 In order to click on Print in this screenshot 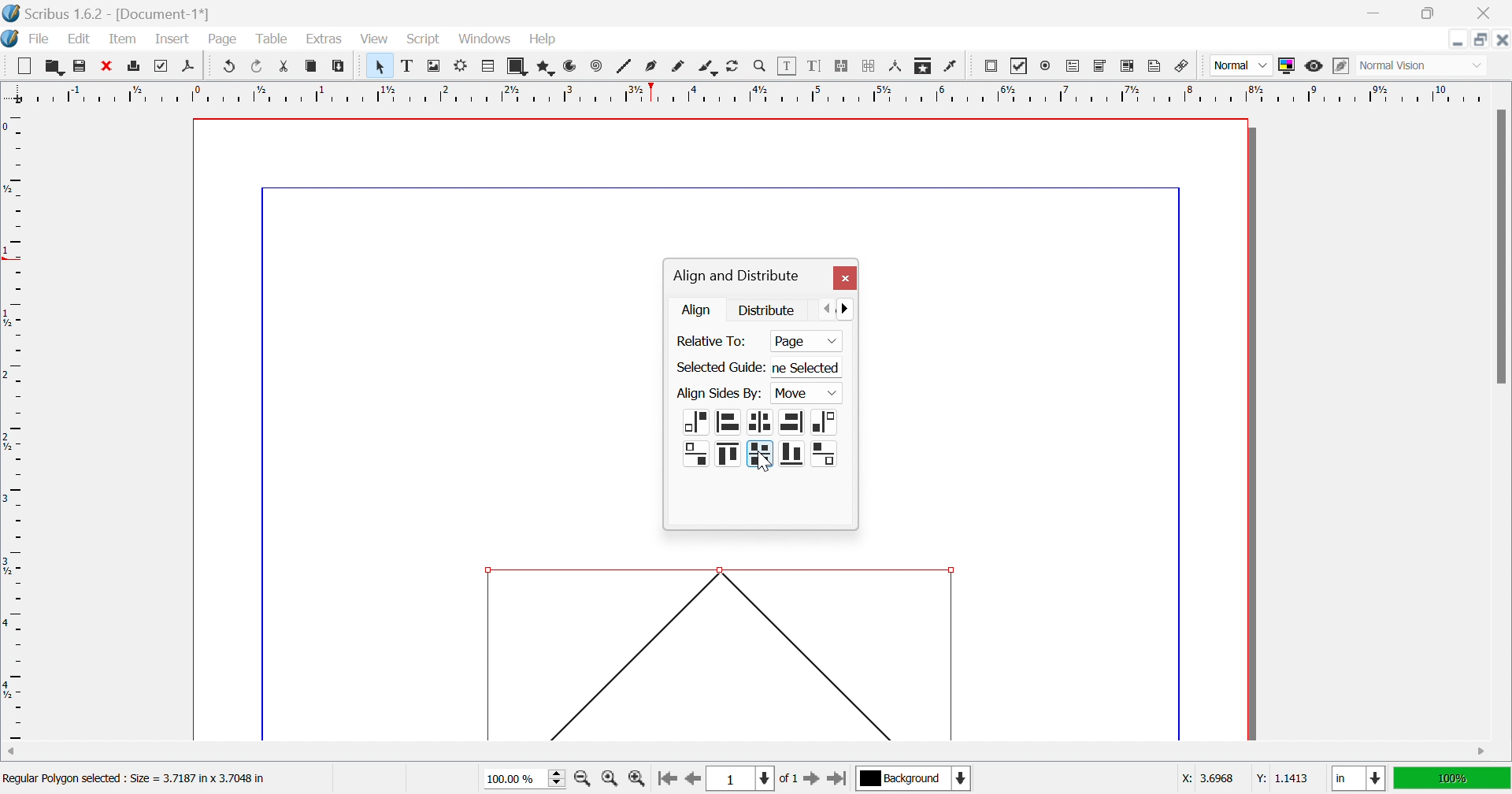, I will do `click(158, 66)`.